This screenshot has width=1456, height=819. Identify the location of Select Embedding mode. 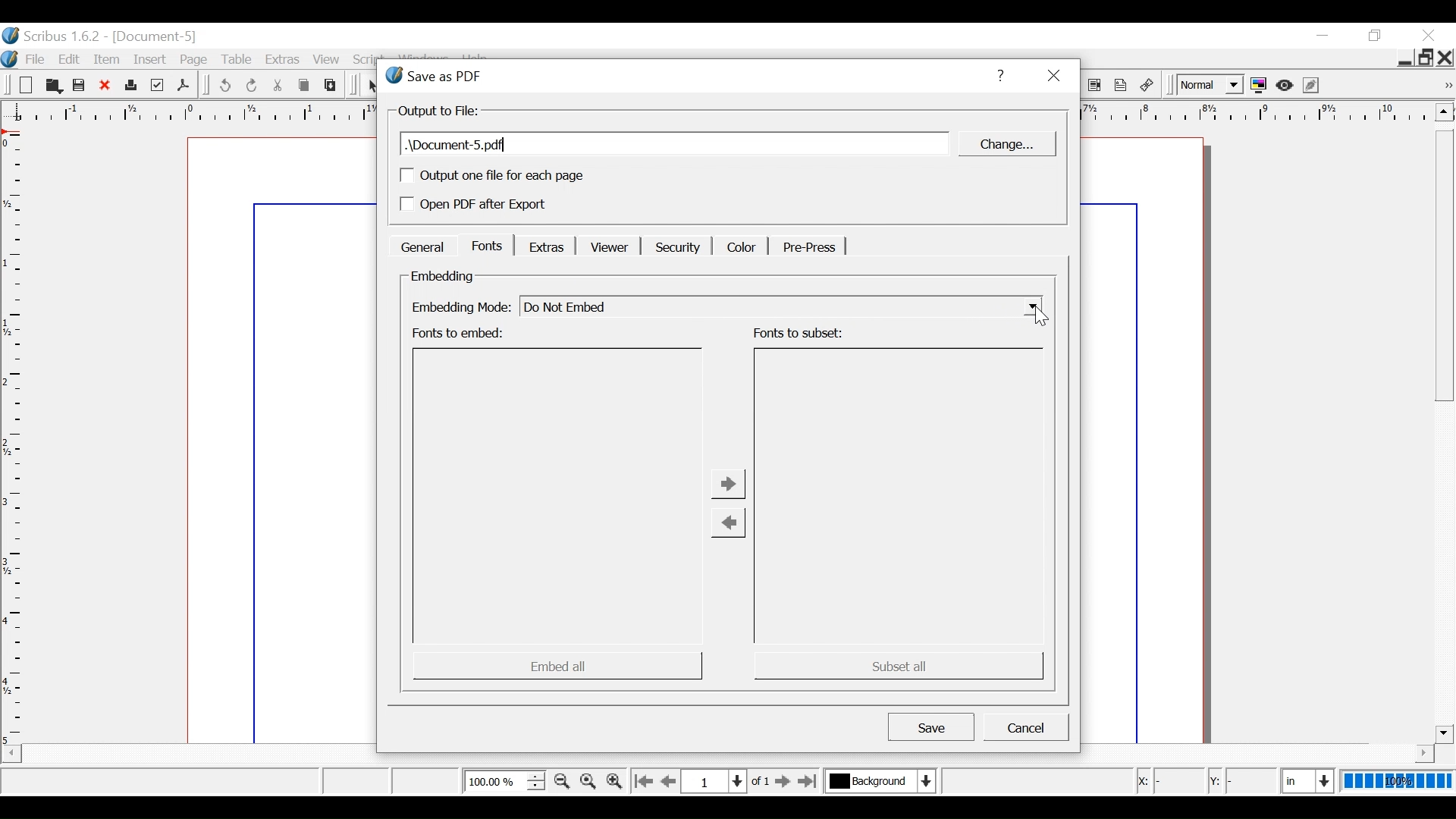
(780, 306).